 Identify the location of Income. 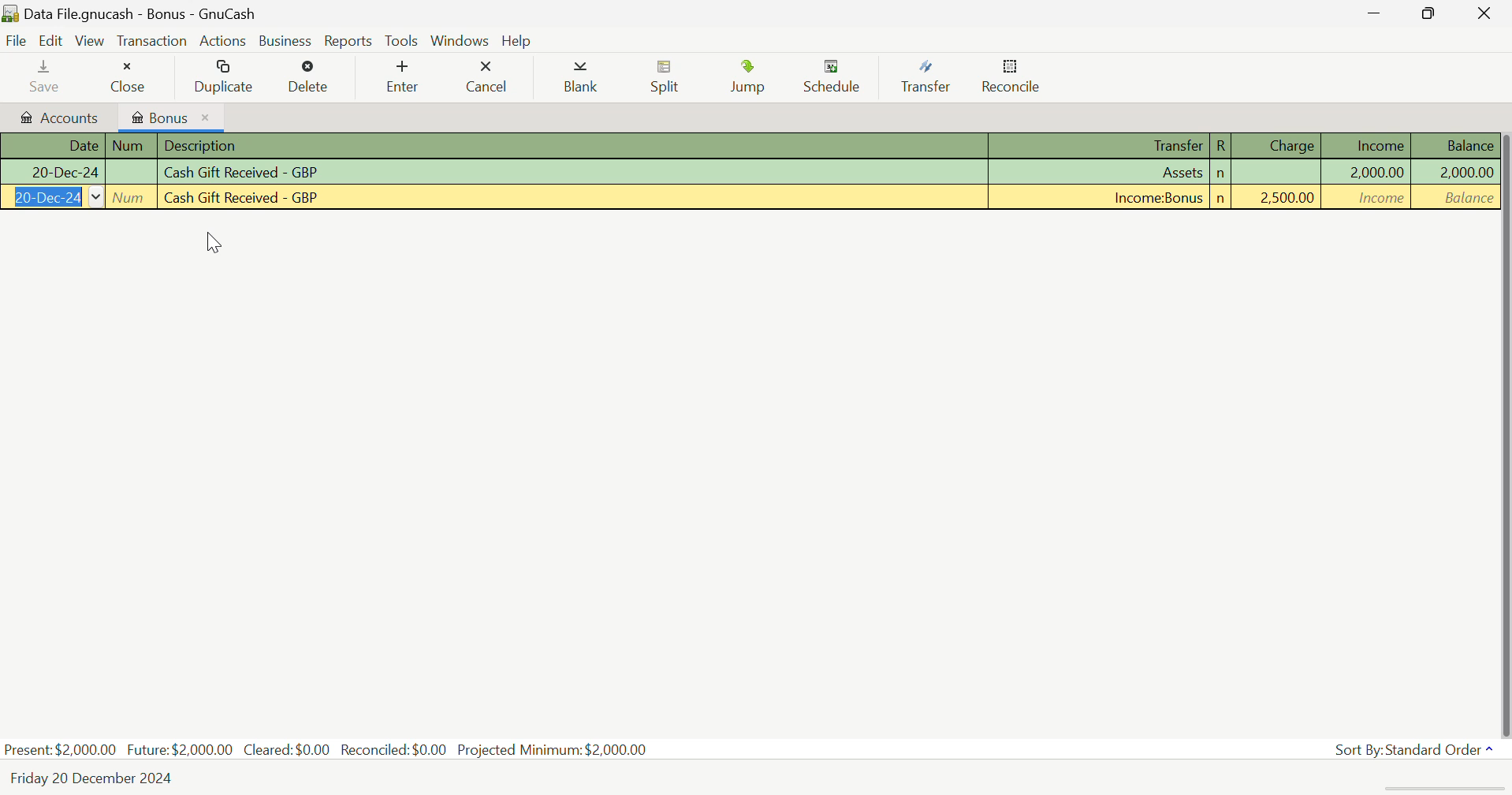
(1369, 198).